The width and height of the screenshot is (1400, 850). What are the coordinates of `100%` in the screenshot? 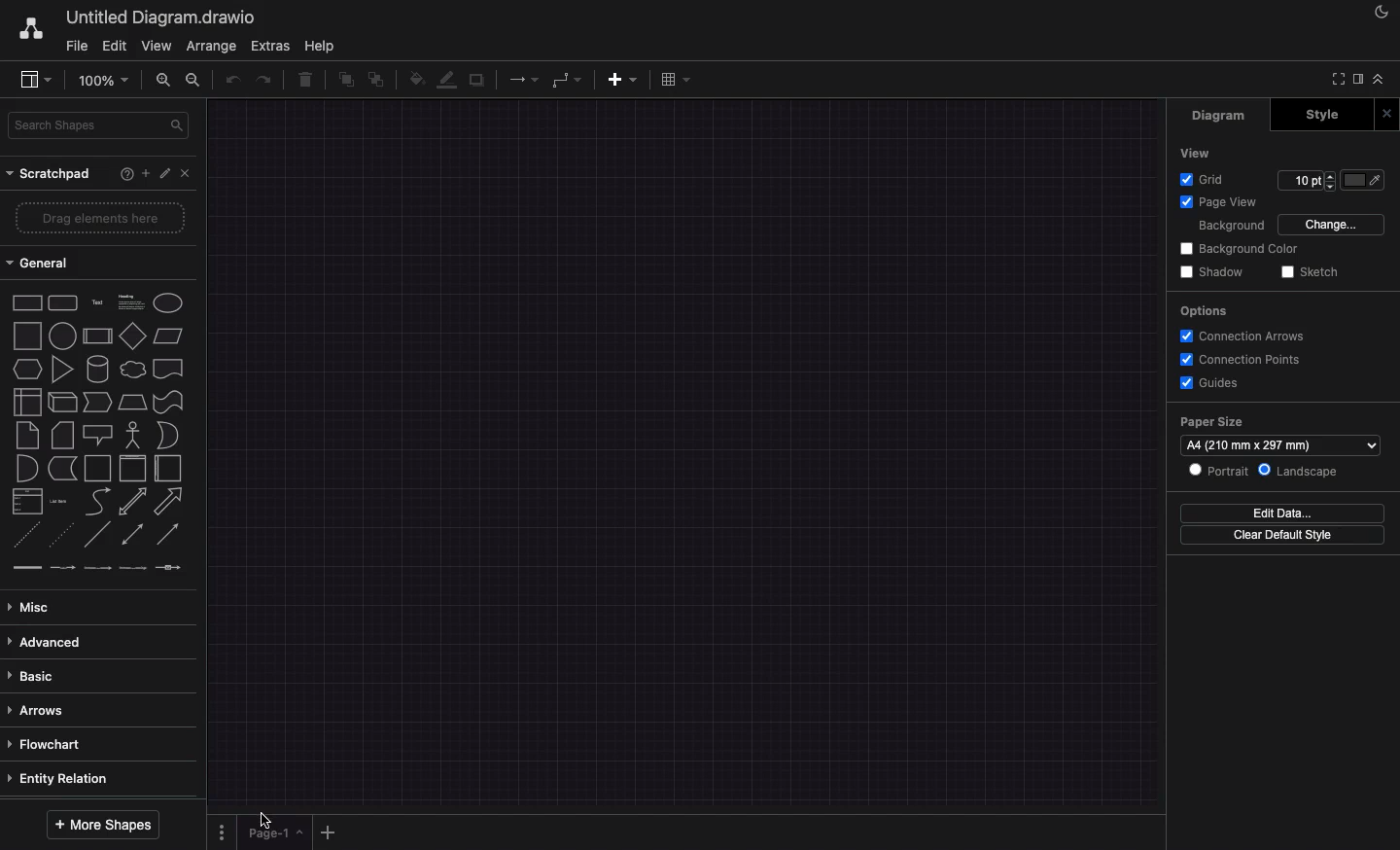 It's located at (104, 82).